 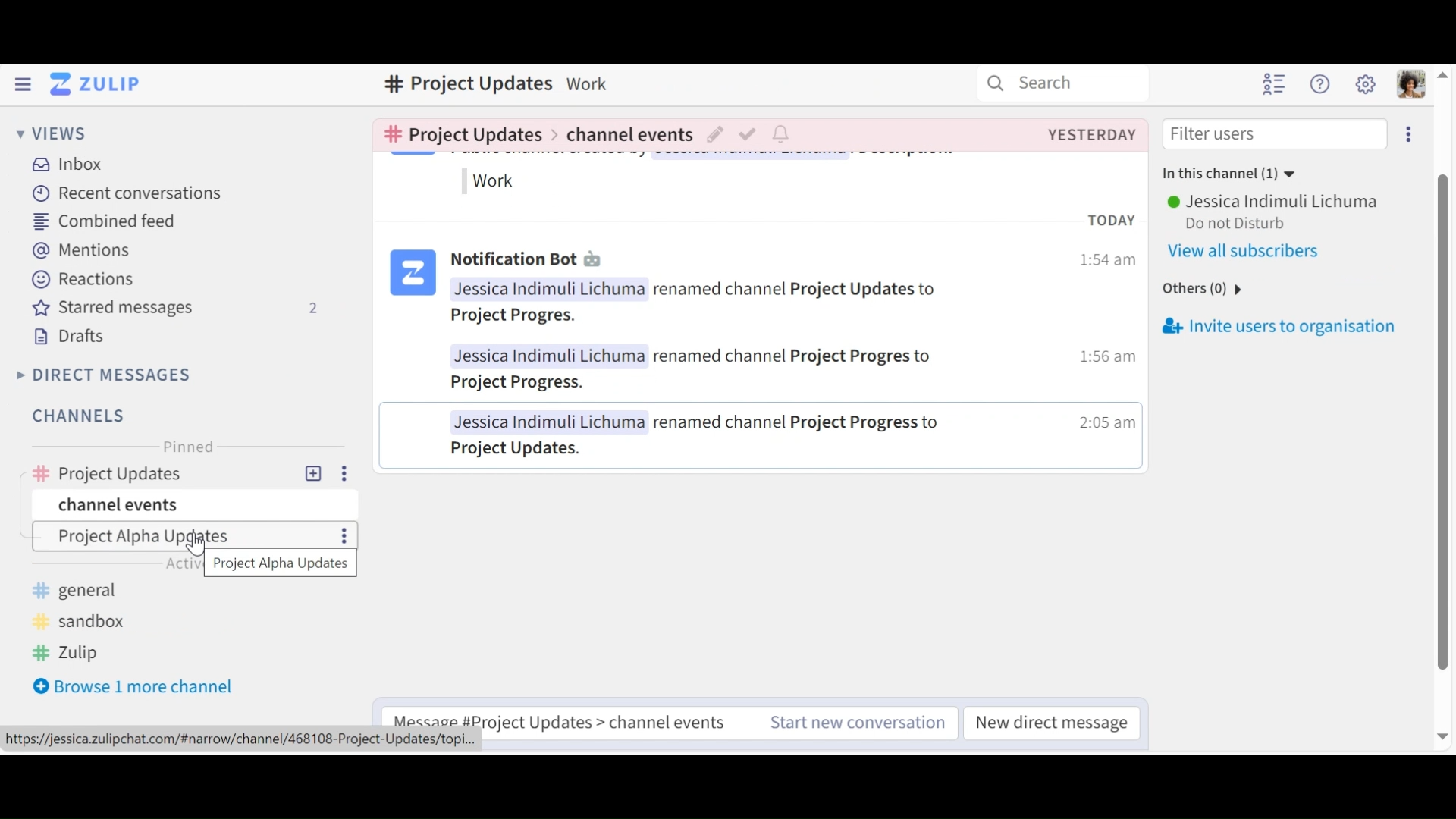 What do you see at coordinates (122, 193) in the screenshot?
I see `Recent Conversations` at bounding box center [122, 193].